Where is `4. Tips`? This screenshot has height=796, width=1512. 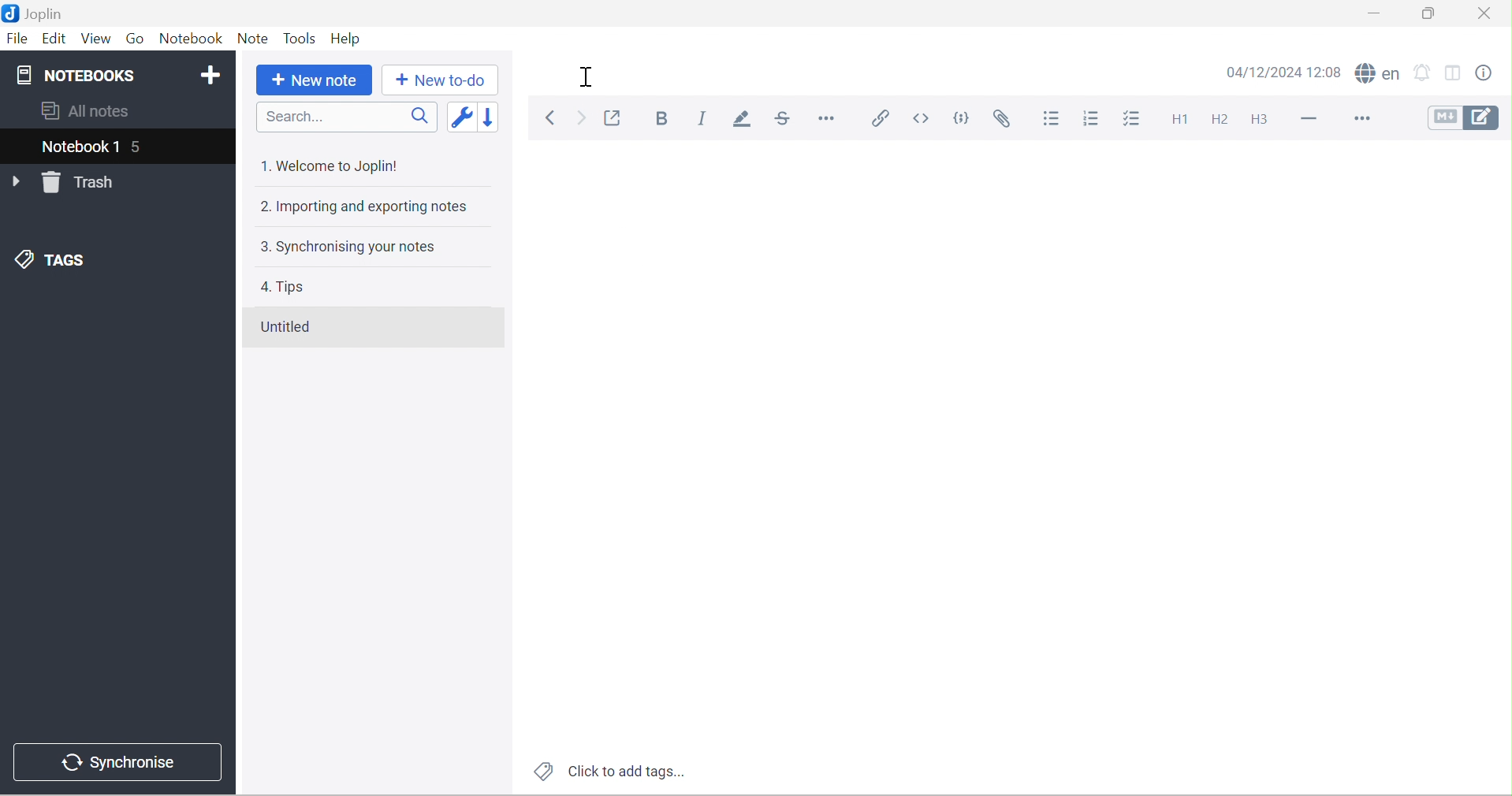
4. Tips is located at coordinates (284, 287).